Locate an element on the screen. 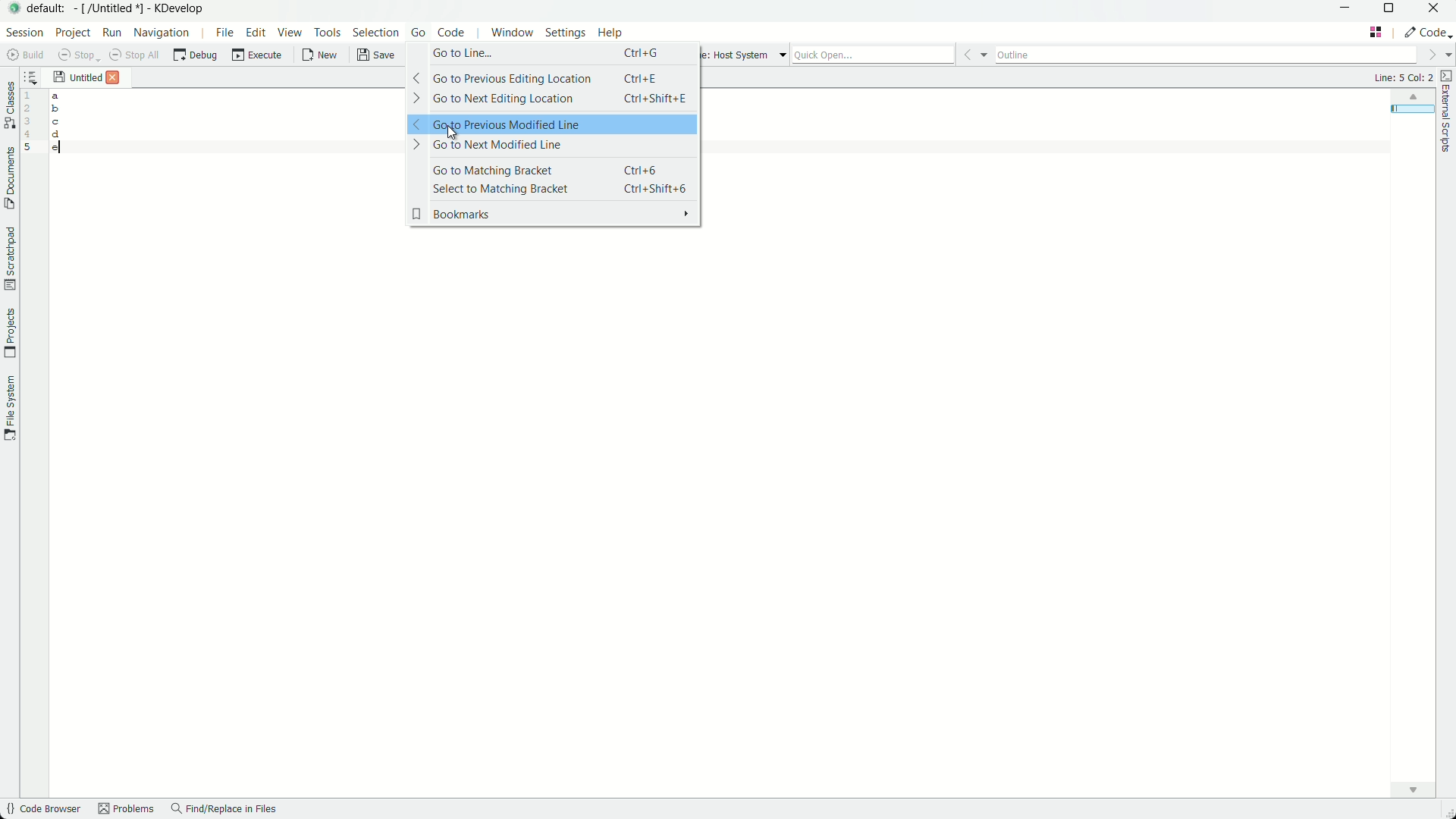 Image resolution: width=1456 pixels, height=819 pixels. minimize is located at coordinates (1345, 10).